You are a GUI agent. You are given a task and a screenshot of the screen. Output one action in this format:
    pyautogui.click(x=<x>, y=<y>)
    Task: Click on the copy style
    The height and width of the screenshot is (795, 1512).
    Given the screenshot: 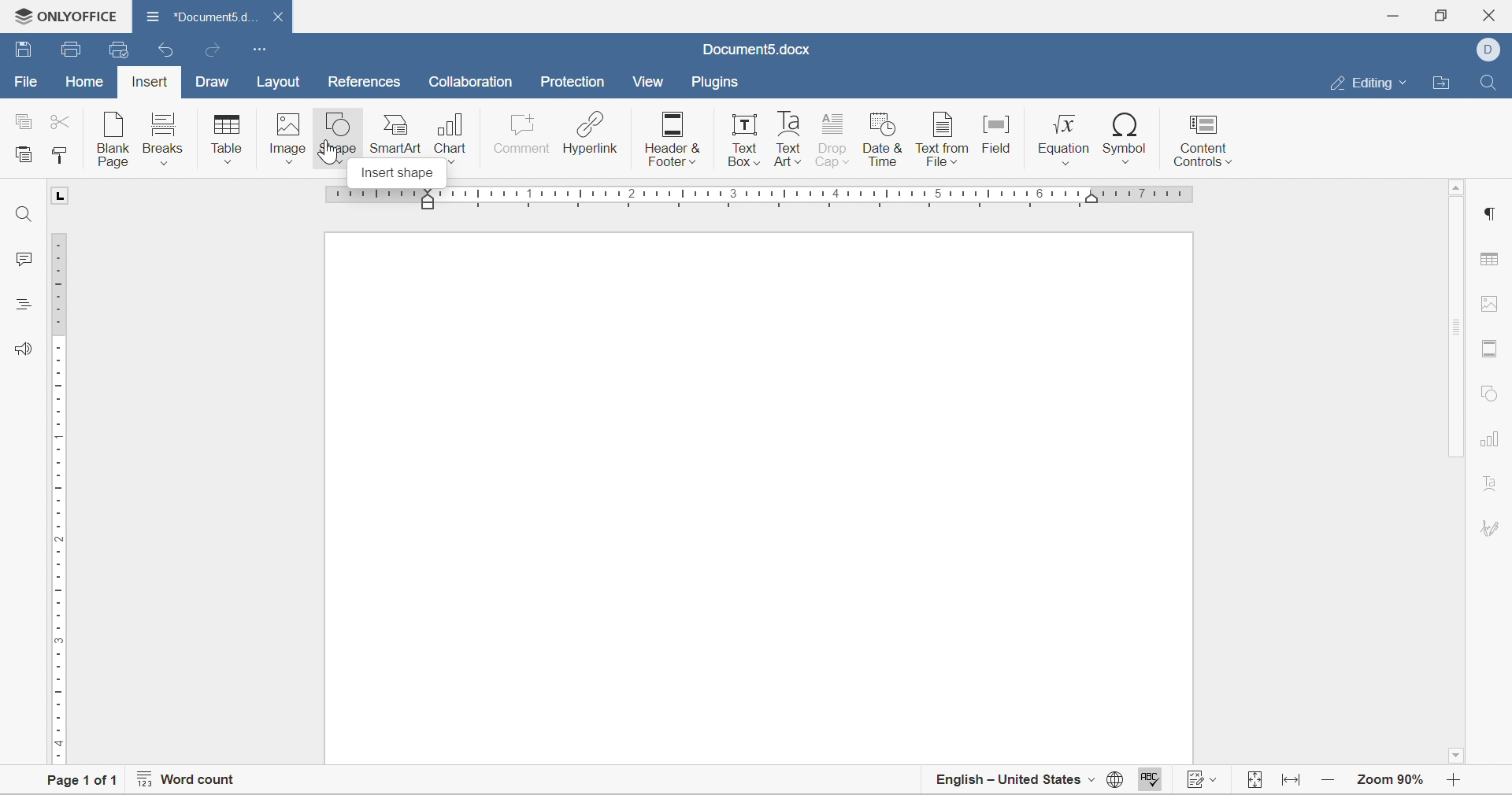 What is the action you would take?
    pyautogui.click(x=63, y=154)
    